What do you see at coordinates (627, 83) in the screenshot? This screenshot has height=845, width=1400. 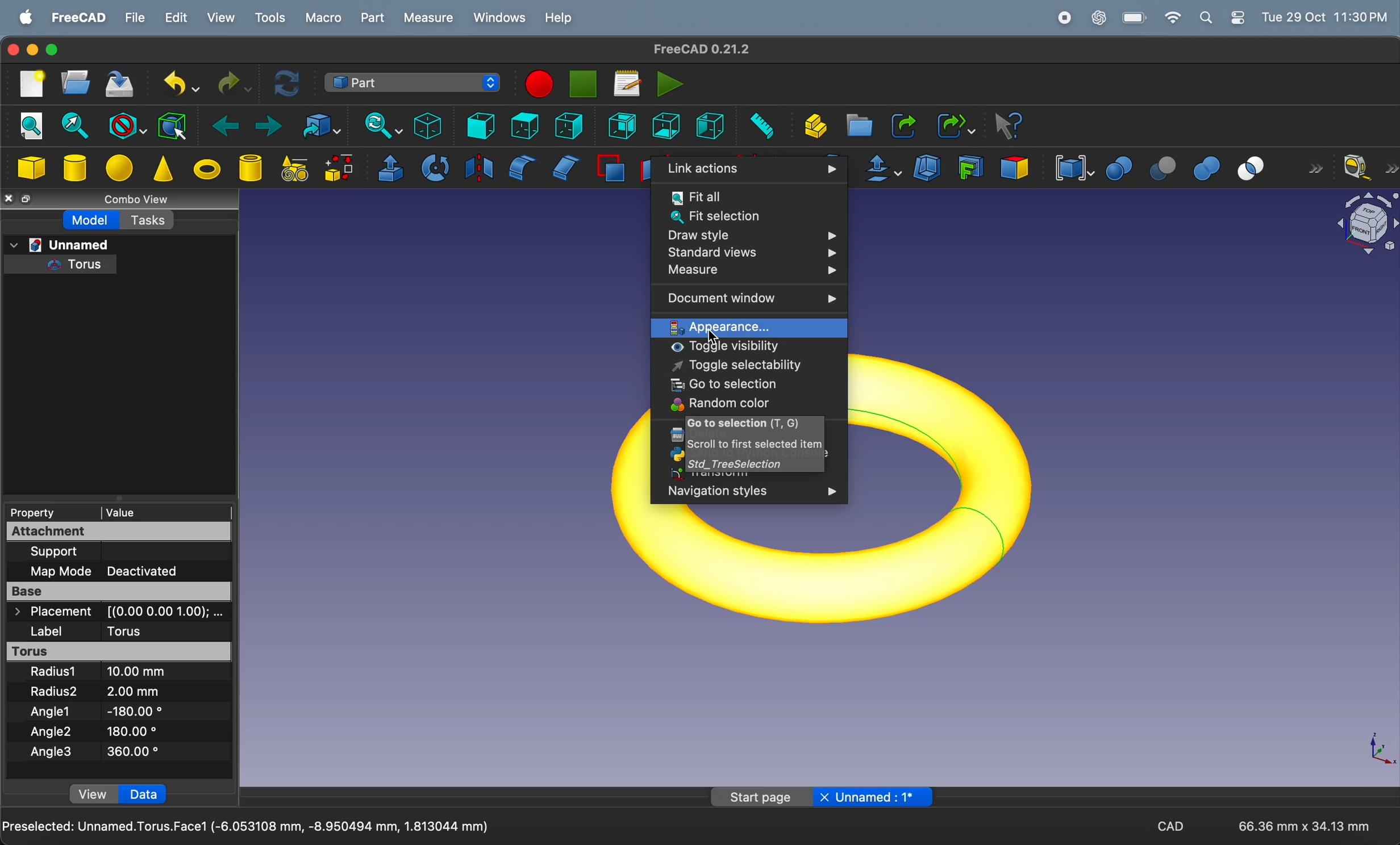 I see `marcos` at bounding box center [627, 83].